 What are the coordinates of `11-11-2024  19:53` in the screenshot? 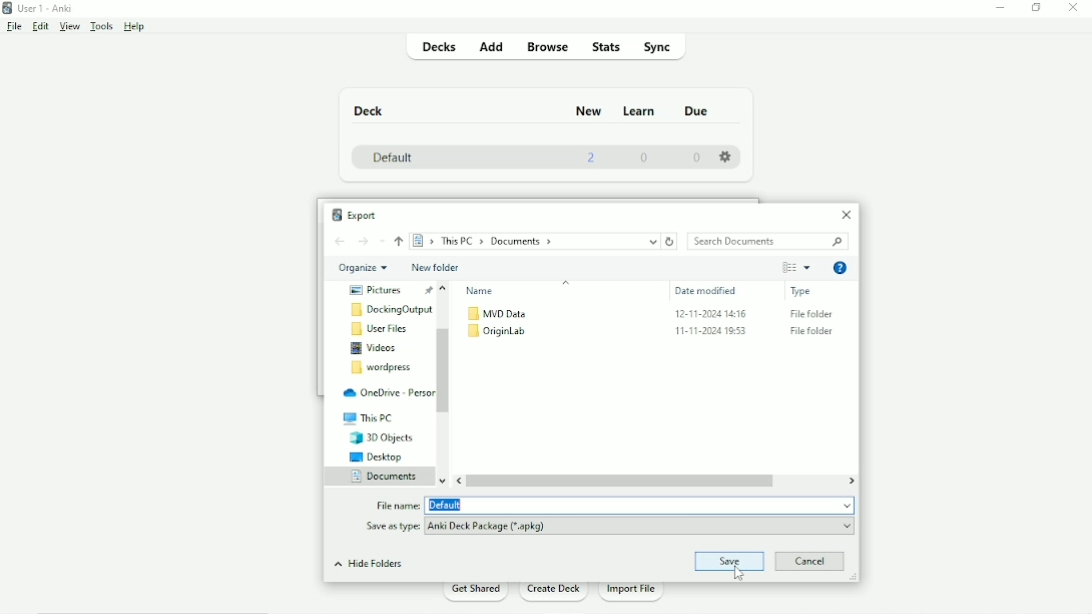 It's located at (711, 331).